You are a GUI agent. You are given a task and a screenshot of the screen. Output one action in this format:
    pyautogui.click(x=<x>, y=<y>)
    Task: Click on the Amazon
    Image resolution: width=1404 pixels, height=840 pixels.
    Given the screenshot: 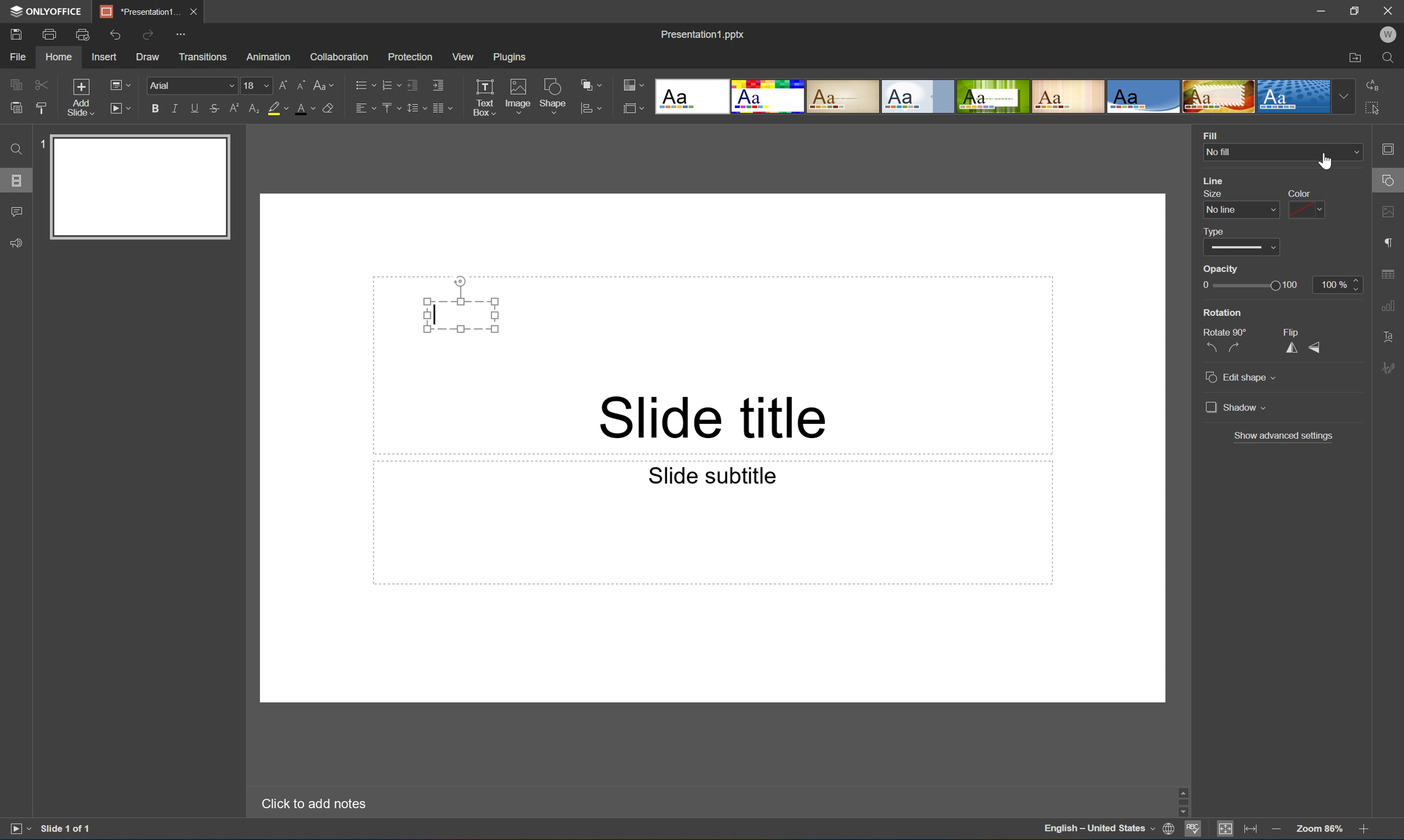 What is the action you would take?
    pyautogui.click(x=269, y=55)
    